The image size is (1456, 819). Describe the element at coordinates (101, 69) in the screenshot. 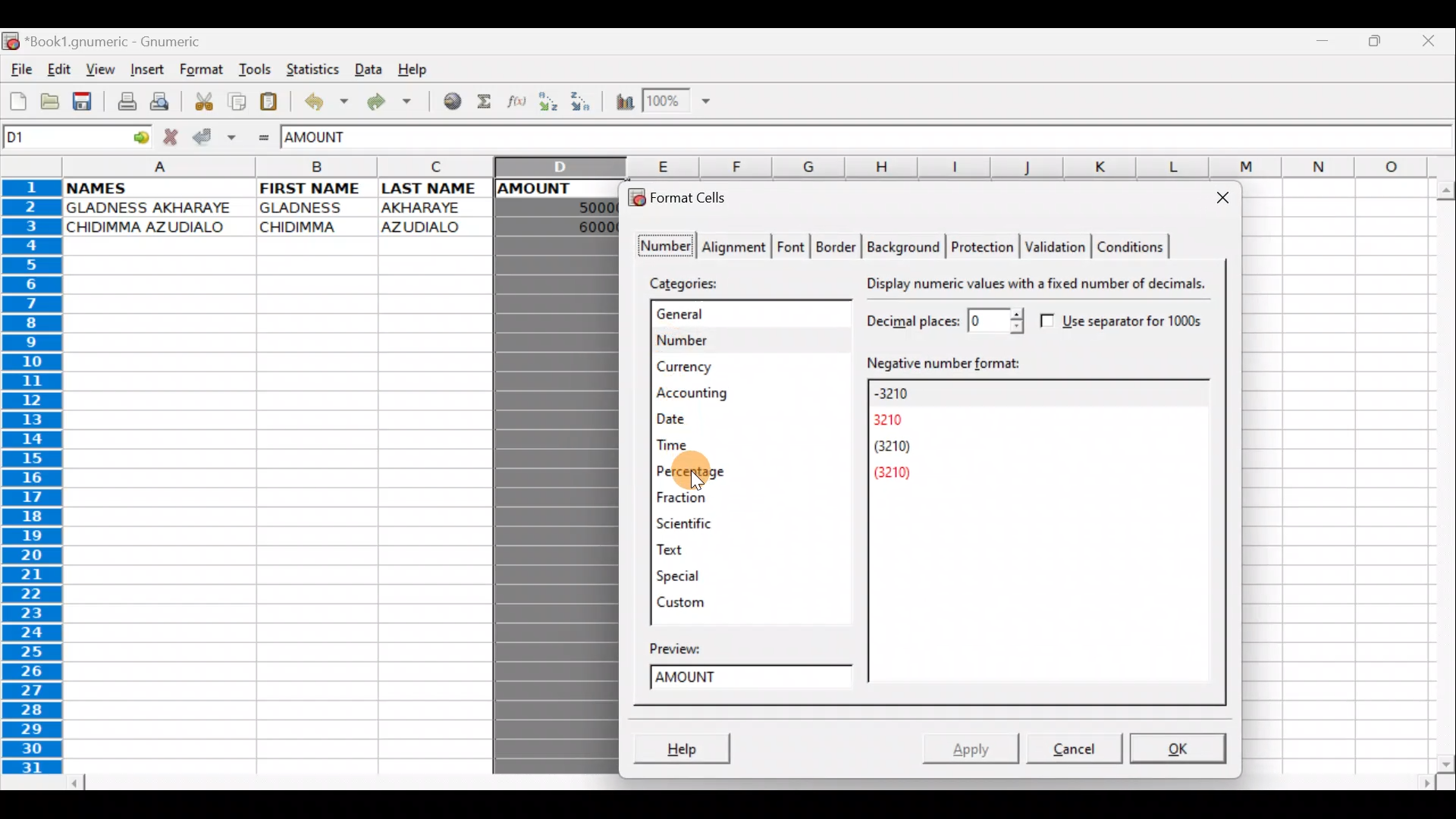

I see `View` at that location.